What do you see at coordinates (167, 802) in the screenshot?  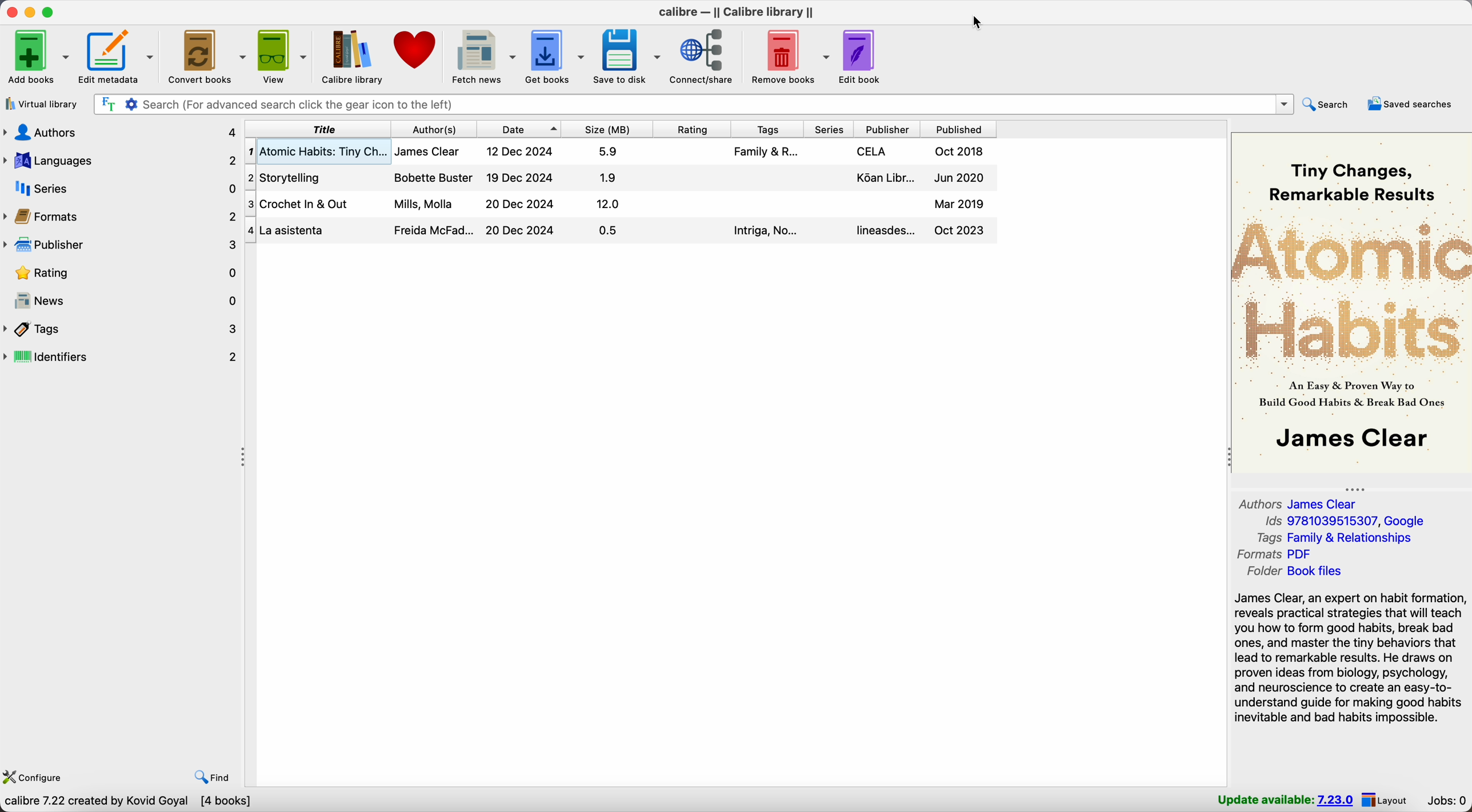 I see `Choose Calibre library to work with Calibre library [4 books]` at bounding box center [167, 802].